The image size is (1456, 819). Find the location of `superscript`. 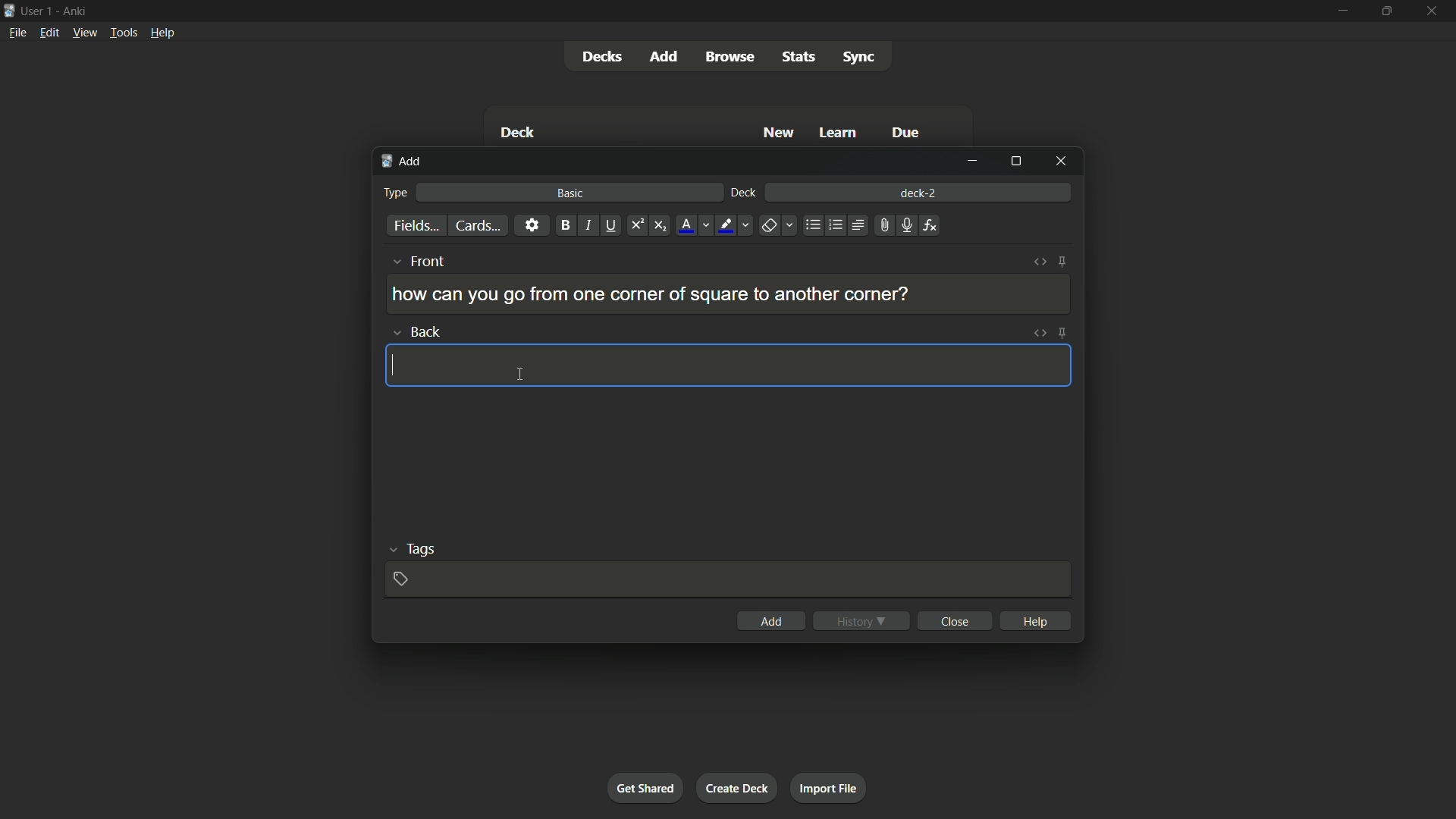

superscript is located at coordinates (637, 226).